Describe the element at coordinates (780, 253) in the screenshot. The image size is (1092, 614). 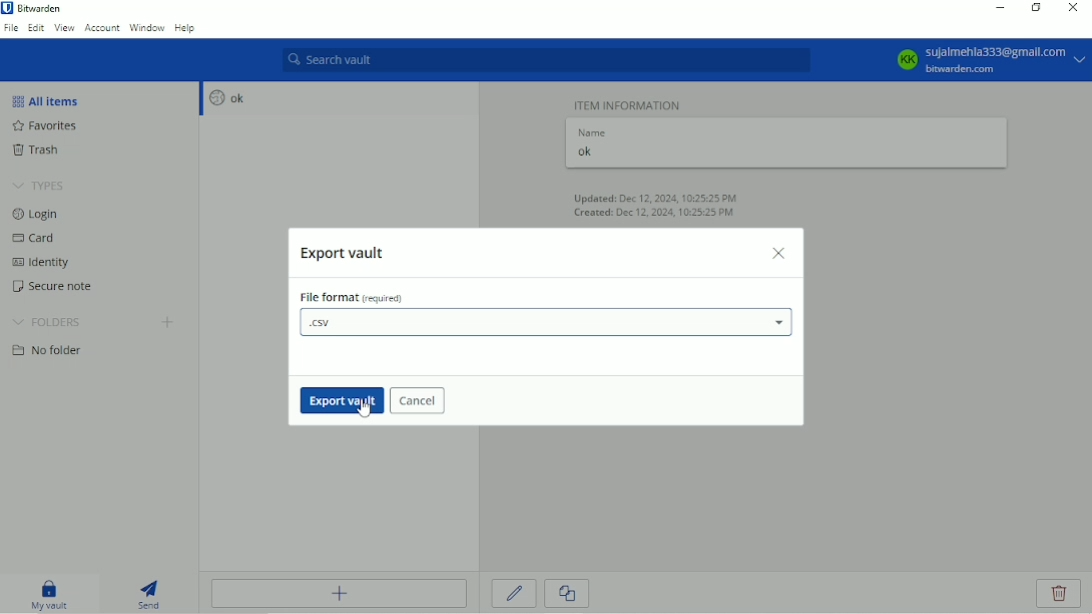
I see `Close` at that location.